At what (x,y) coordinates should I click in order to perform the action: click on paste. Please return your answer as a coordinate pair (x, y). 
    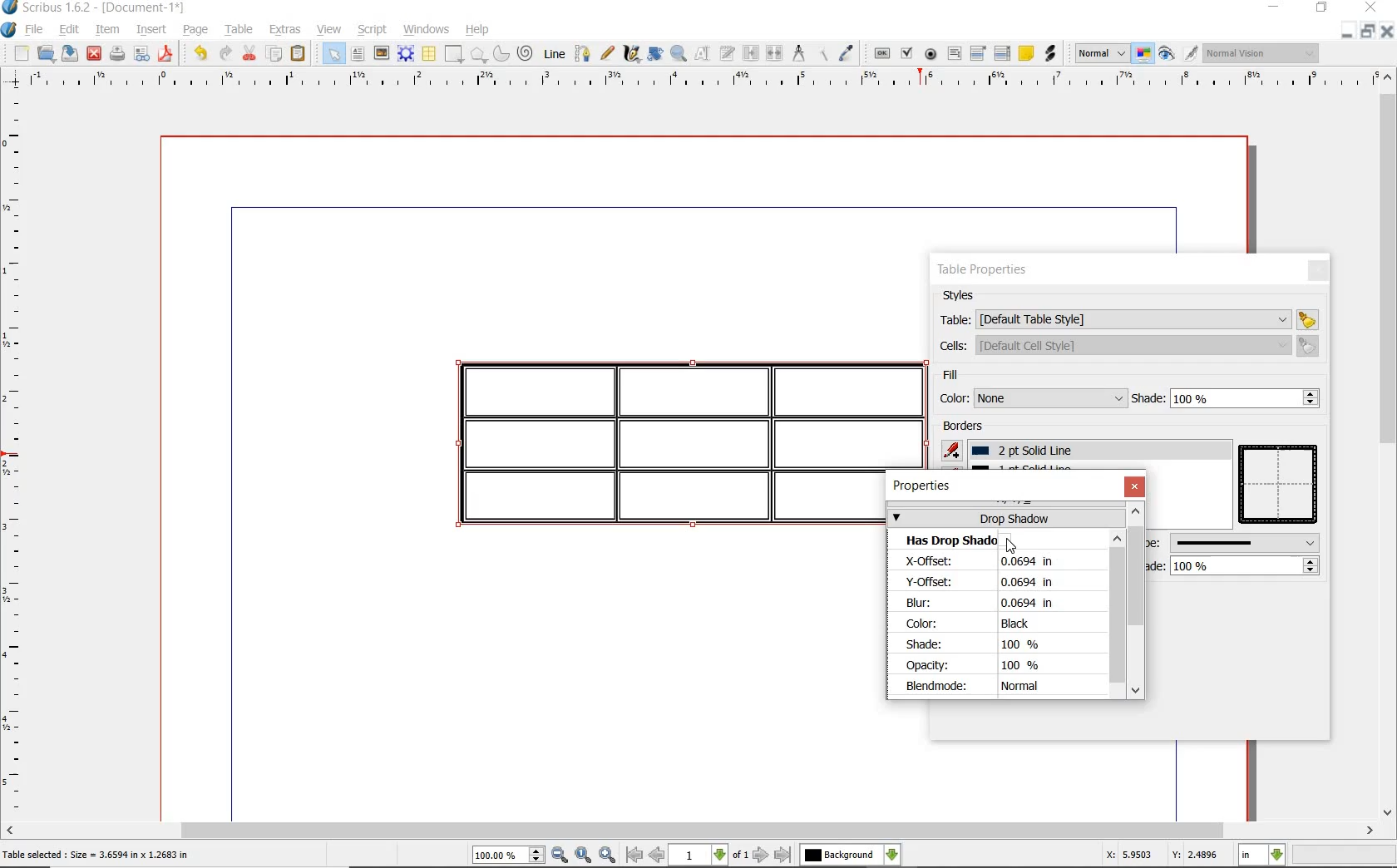
    Looking at the image, I should click on (299, 53).